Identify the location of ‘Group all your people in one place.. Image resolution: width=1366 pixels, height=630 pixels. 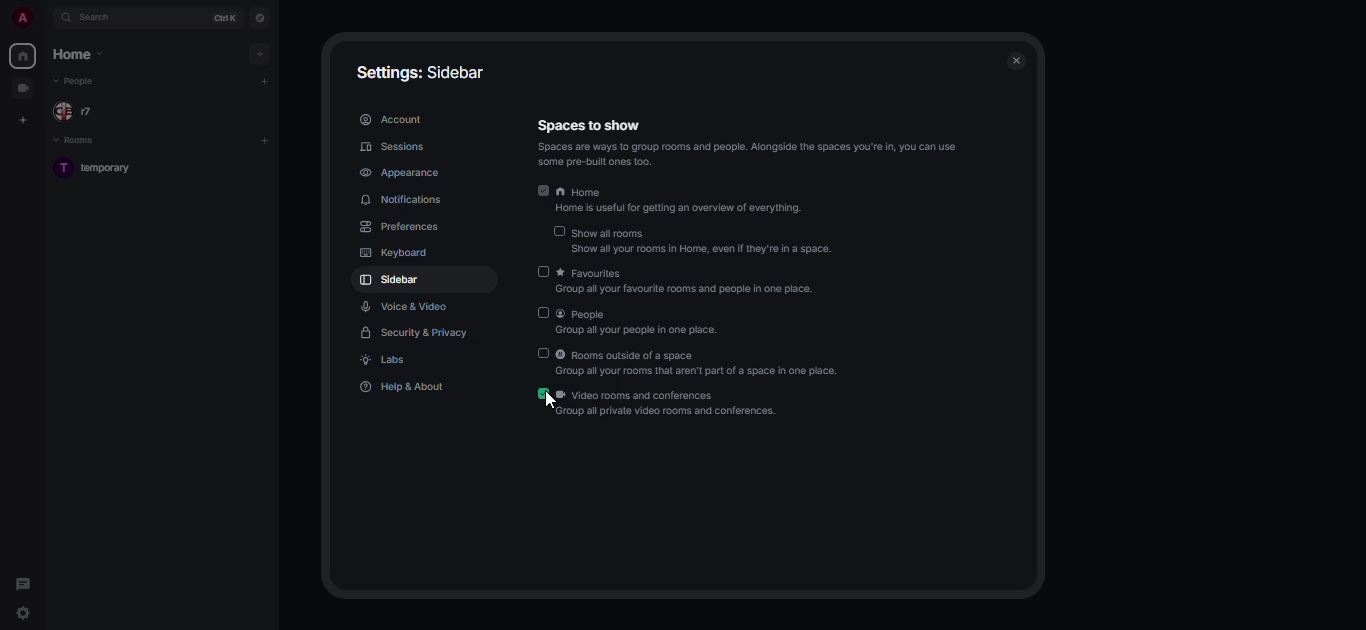
(635, 331).